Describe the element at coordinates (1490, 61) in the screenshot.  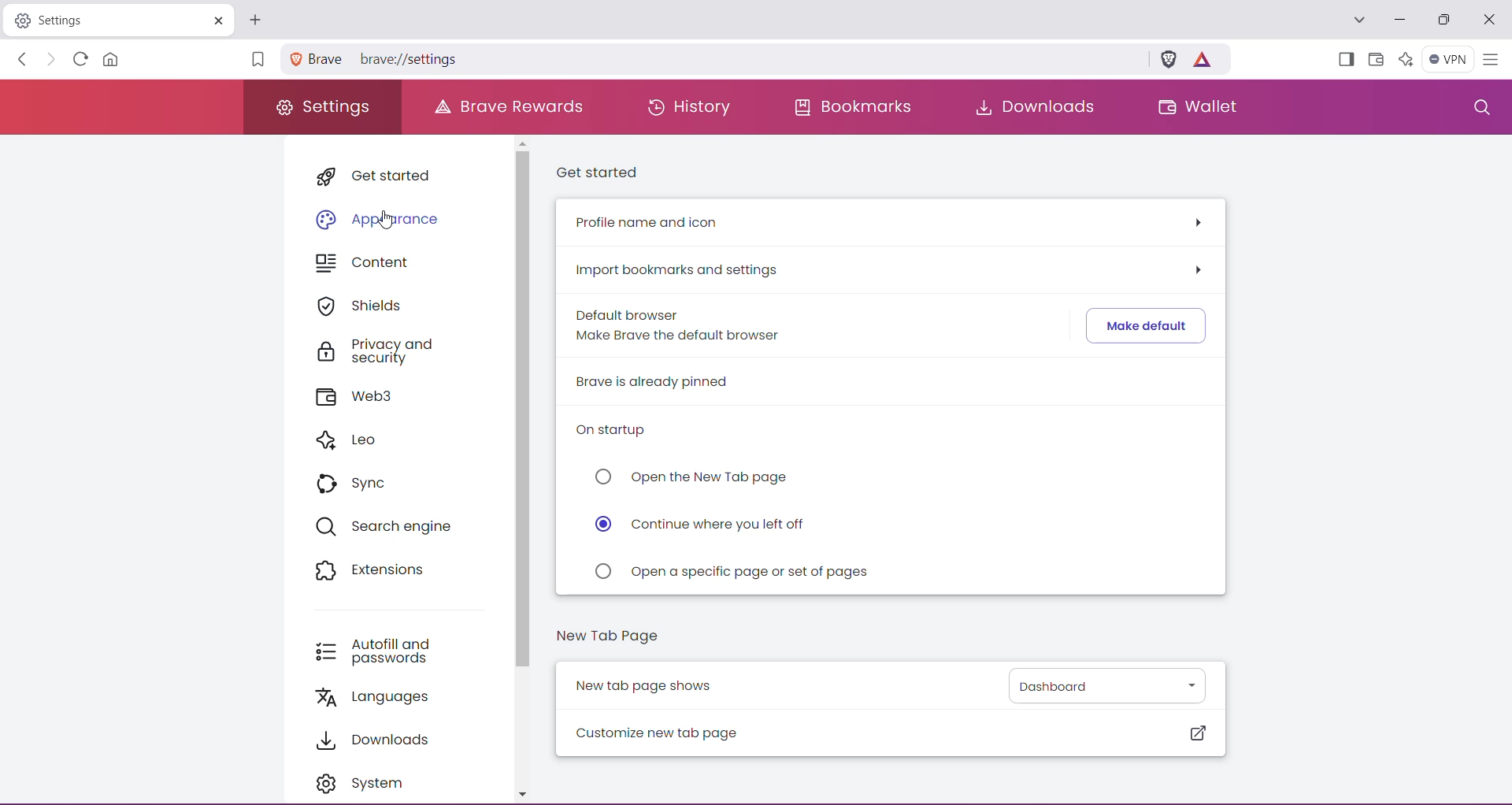
I see `Customize and control Brave` at that location.